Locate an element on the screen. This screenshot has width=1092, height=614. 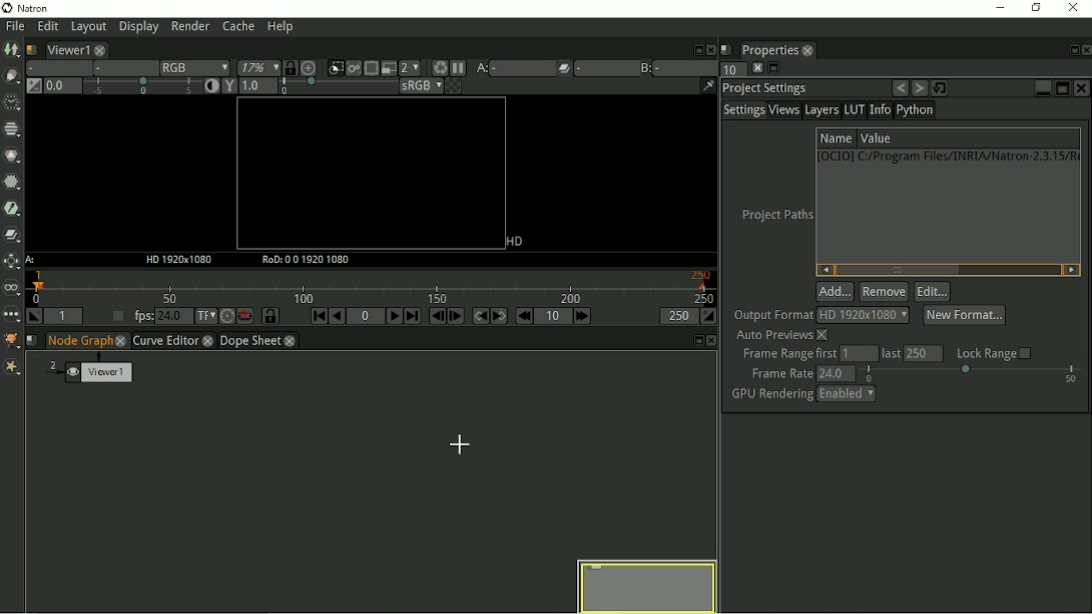
Horizontal scrollbar is located at coordinates (893, 271).